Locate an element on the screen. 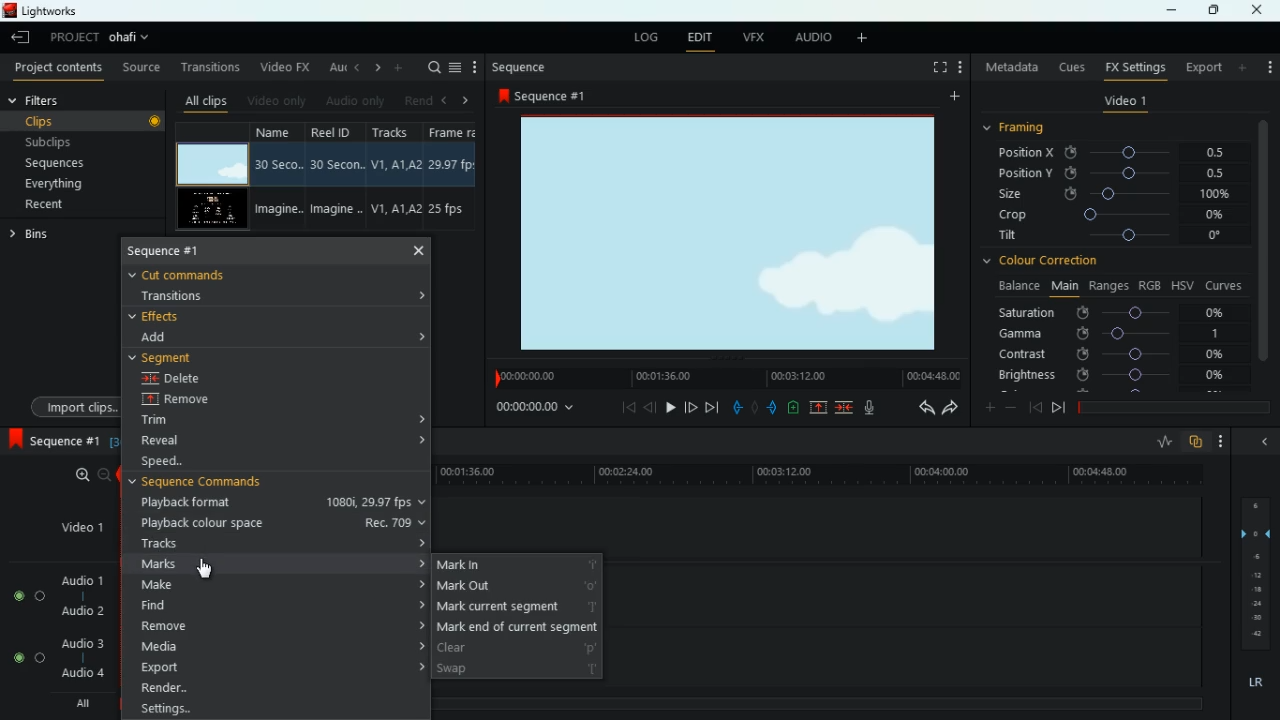 This screenshot has height=720, width=1280. front is located at coordinates (692, 407).